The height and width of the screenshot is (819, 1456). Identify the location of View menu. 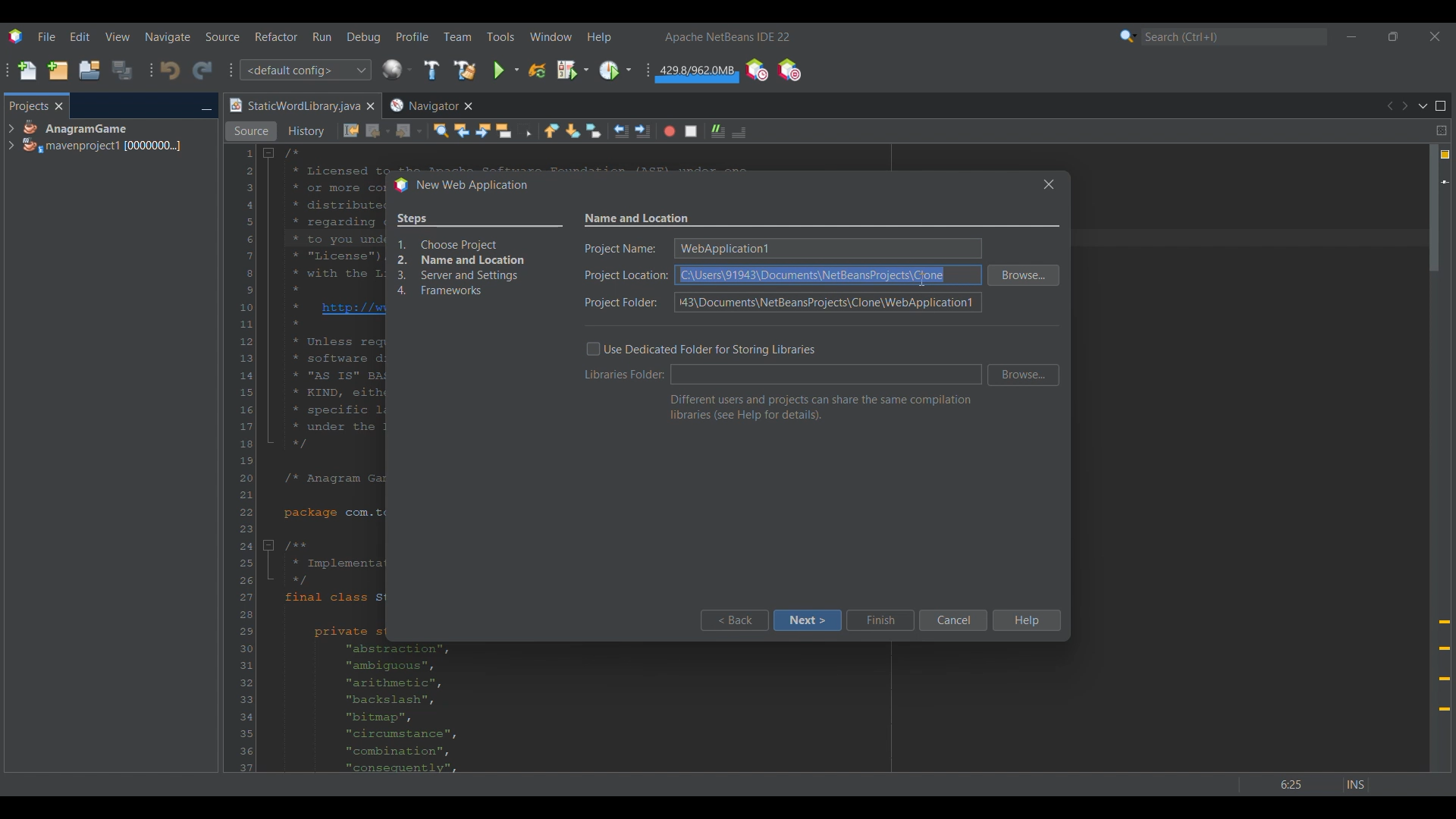
(118, 36).